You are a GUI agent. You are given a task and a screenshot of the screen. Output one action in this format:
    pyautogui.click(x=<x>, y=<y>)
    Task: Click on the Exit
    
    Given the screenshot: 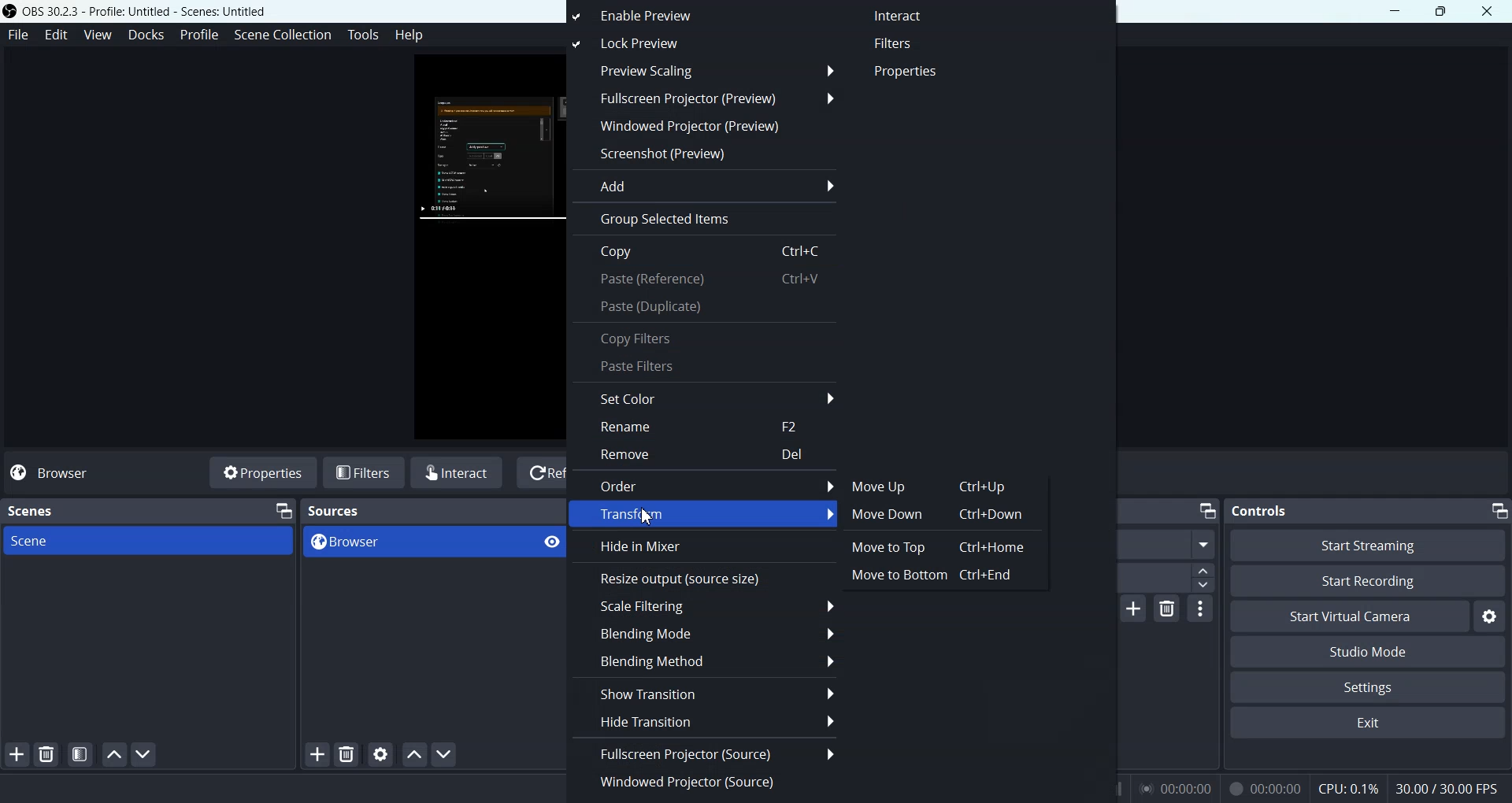 What is the action you would take?
    pyautogui.click(x=1366, y=724)
    